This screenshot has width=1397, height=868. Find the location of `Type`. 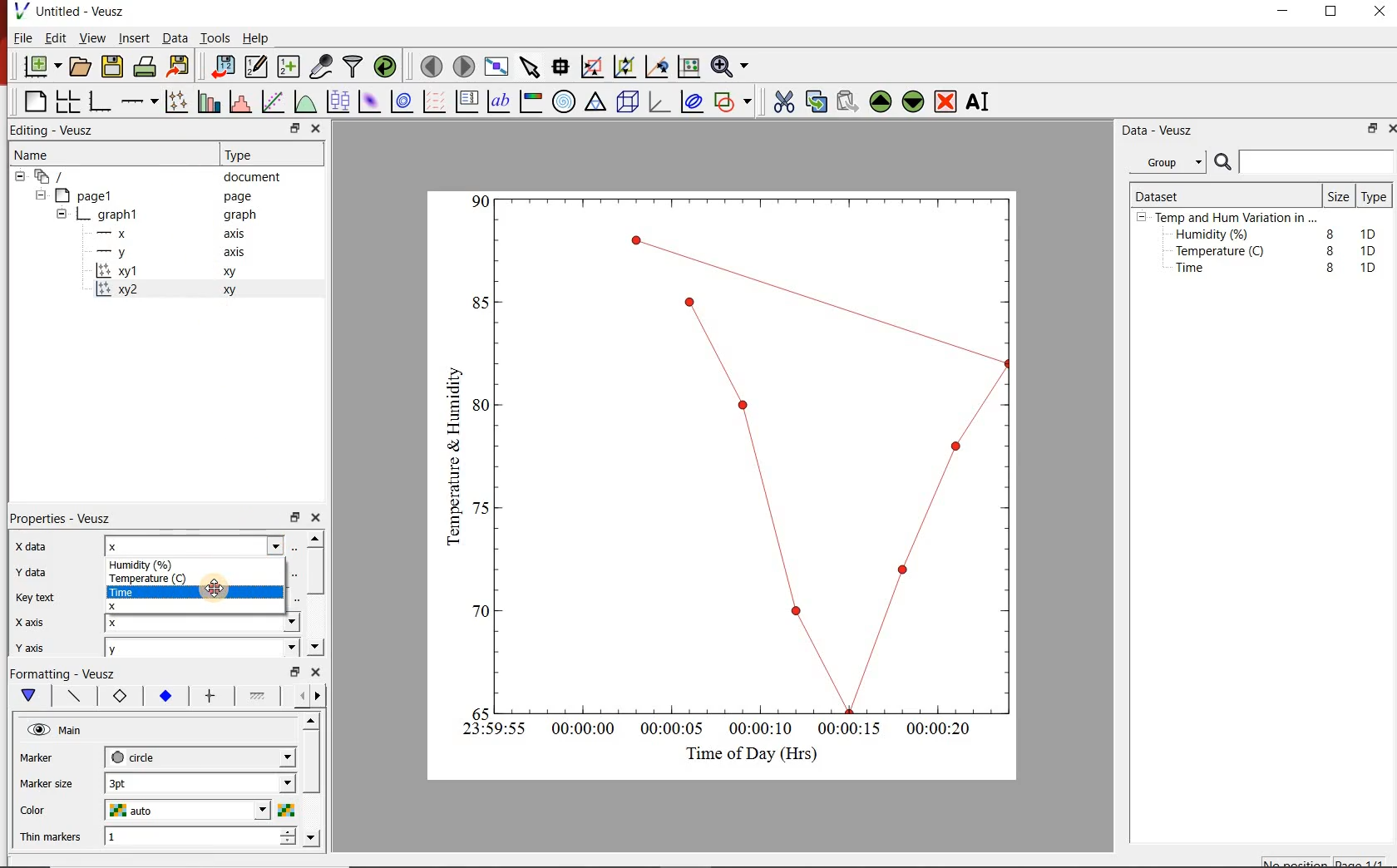

Type is located at coordinates (249, 155).